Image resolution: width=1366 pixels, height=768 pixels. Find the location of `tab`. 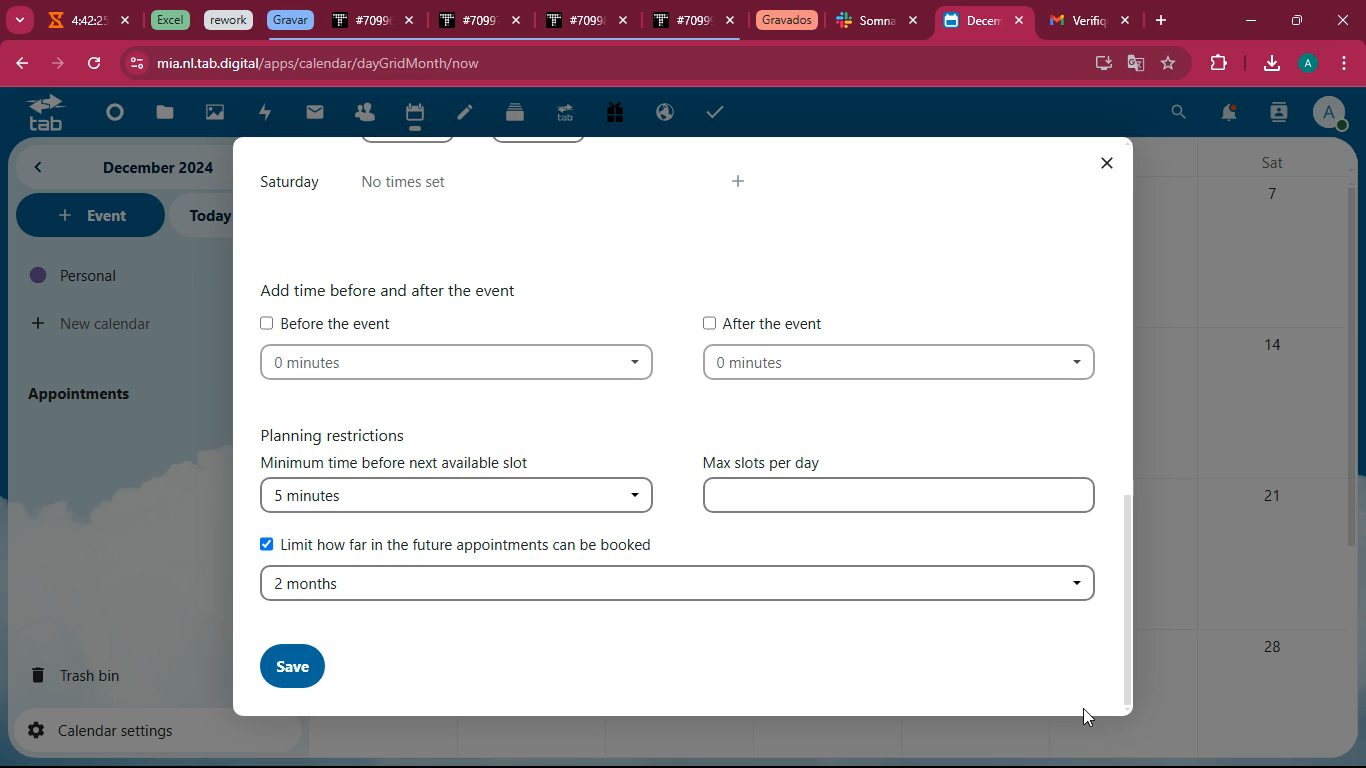

tab is located at coordinates (866, 23).